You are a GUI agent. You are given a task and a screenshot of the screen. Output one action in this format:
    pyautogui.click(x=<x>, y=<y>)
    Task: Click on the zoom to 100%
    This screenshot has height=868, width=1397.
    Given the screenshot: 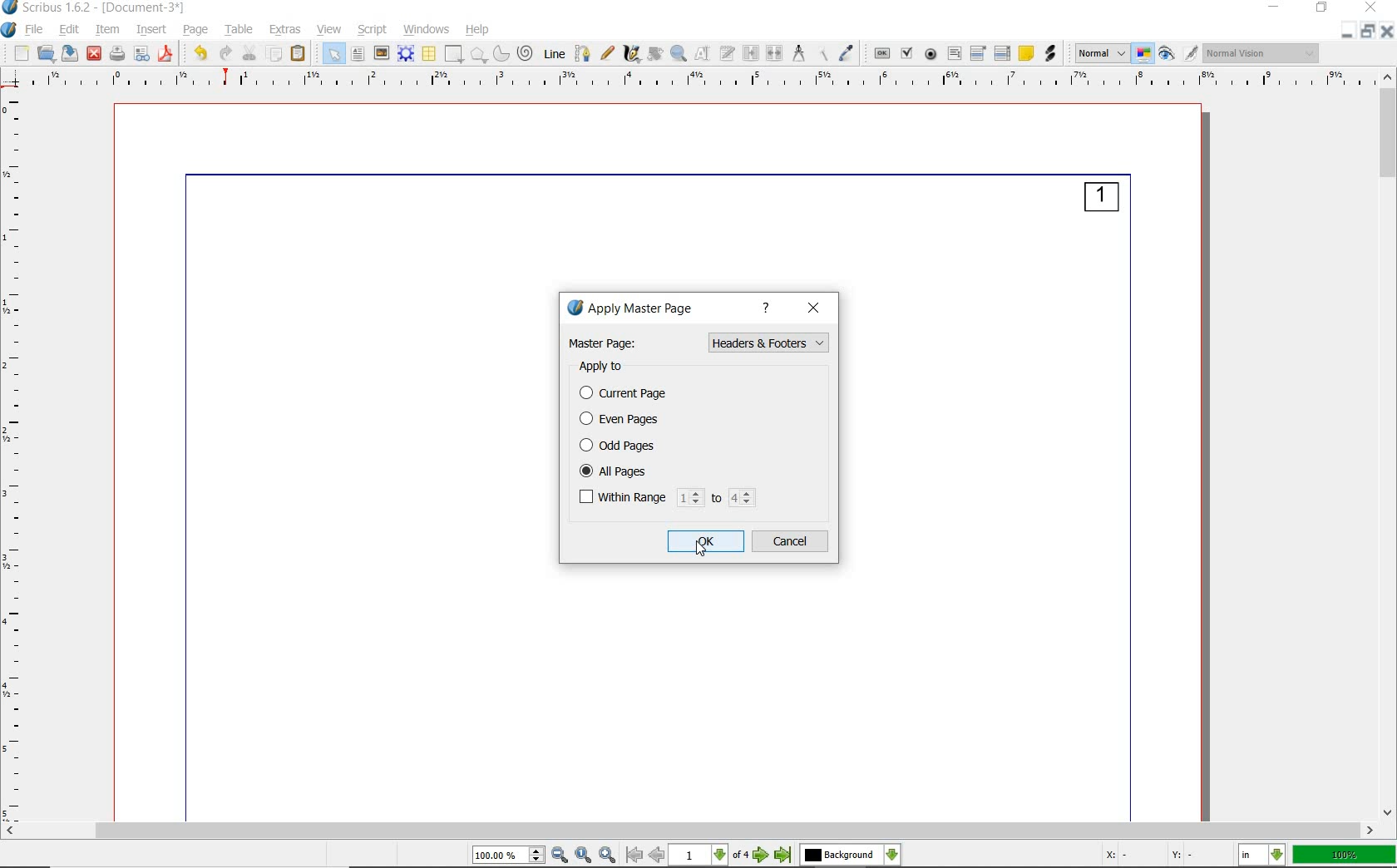 What is the action you would take?
    pyautogui.click(x=585, y=855)
    